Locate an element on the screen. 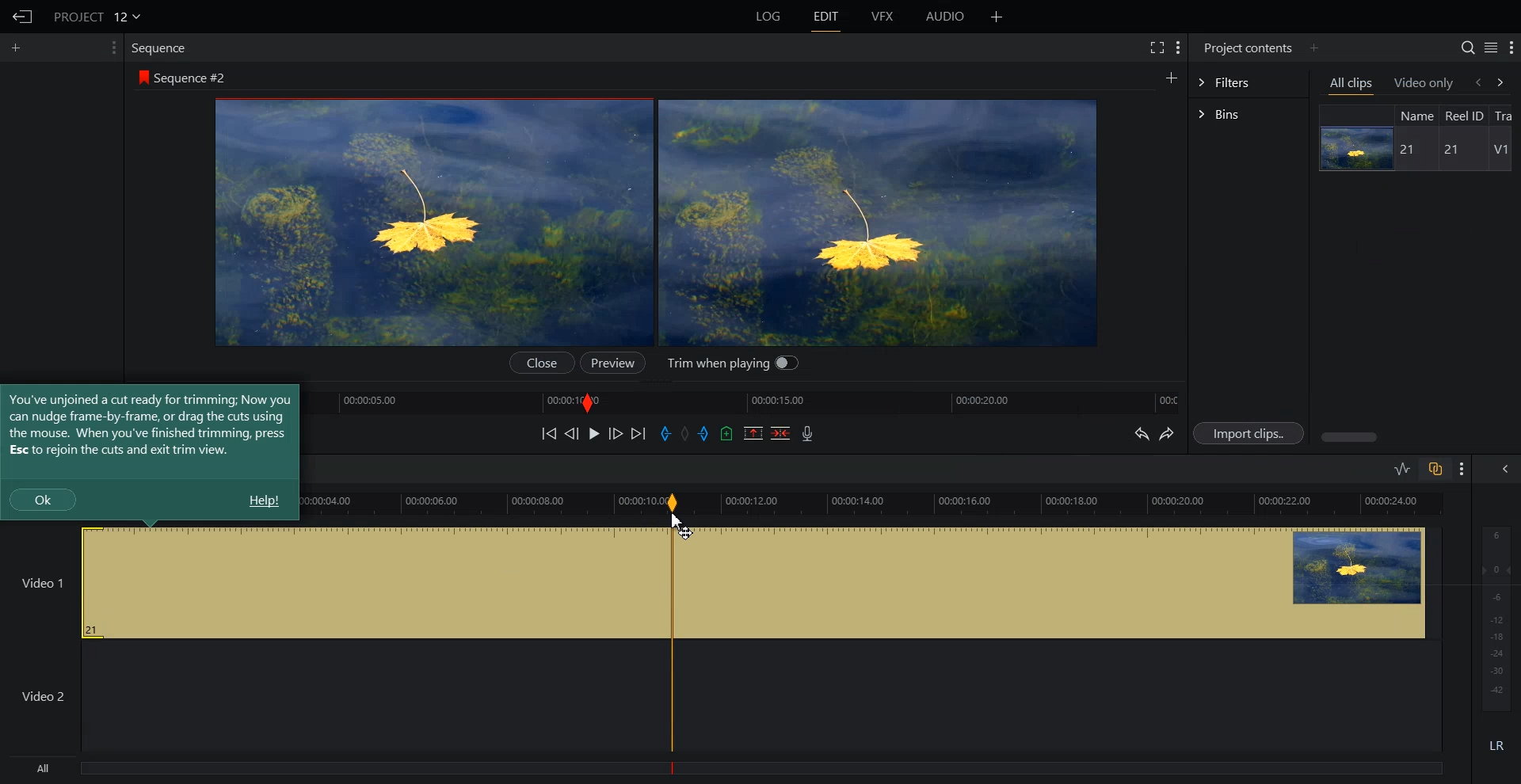 This screenshot has width=1521, height=784. Move Backward is located at coordinates (548, 433).